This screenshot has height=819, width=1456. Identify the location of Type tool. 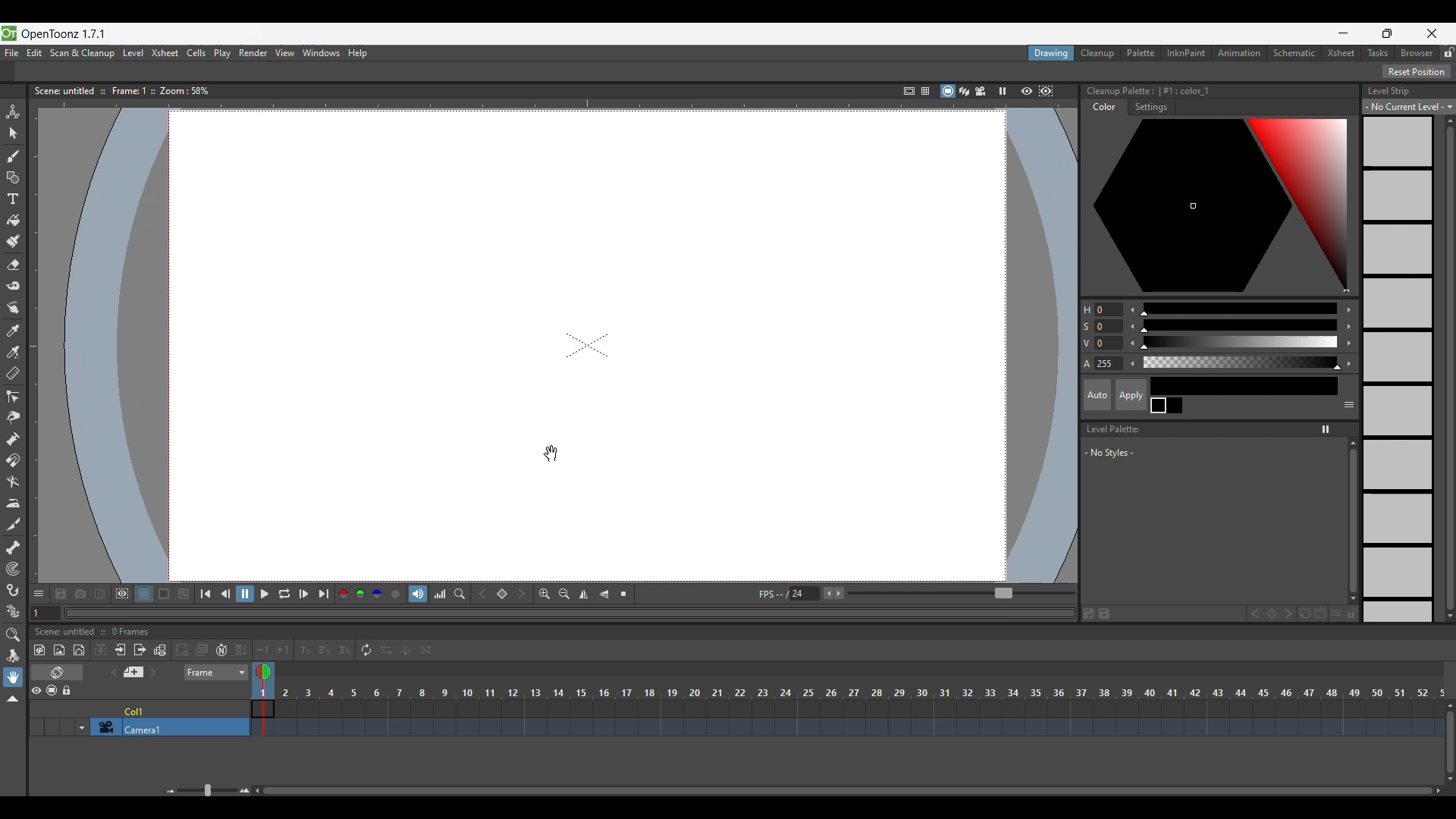
(12, 199).